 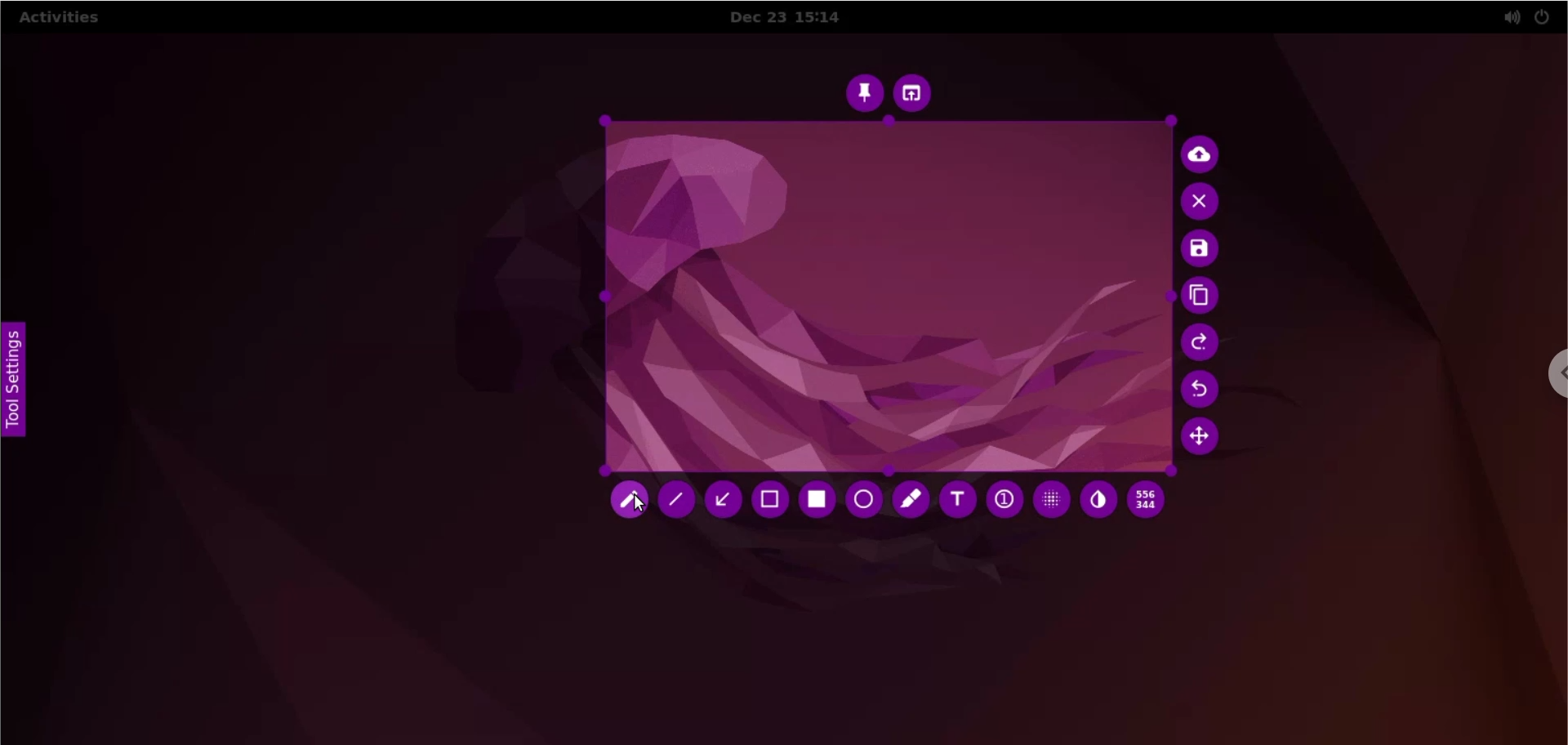 What do you see at coordinates (1545, 372) in the screenshot?
I see `chrome options` at bounding box center [1545, 372].